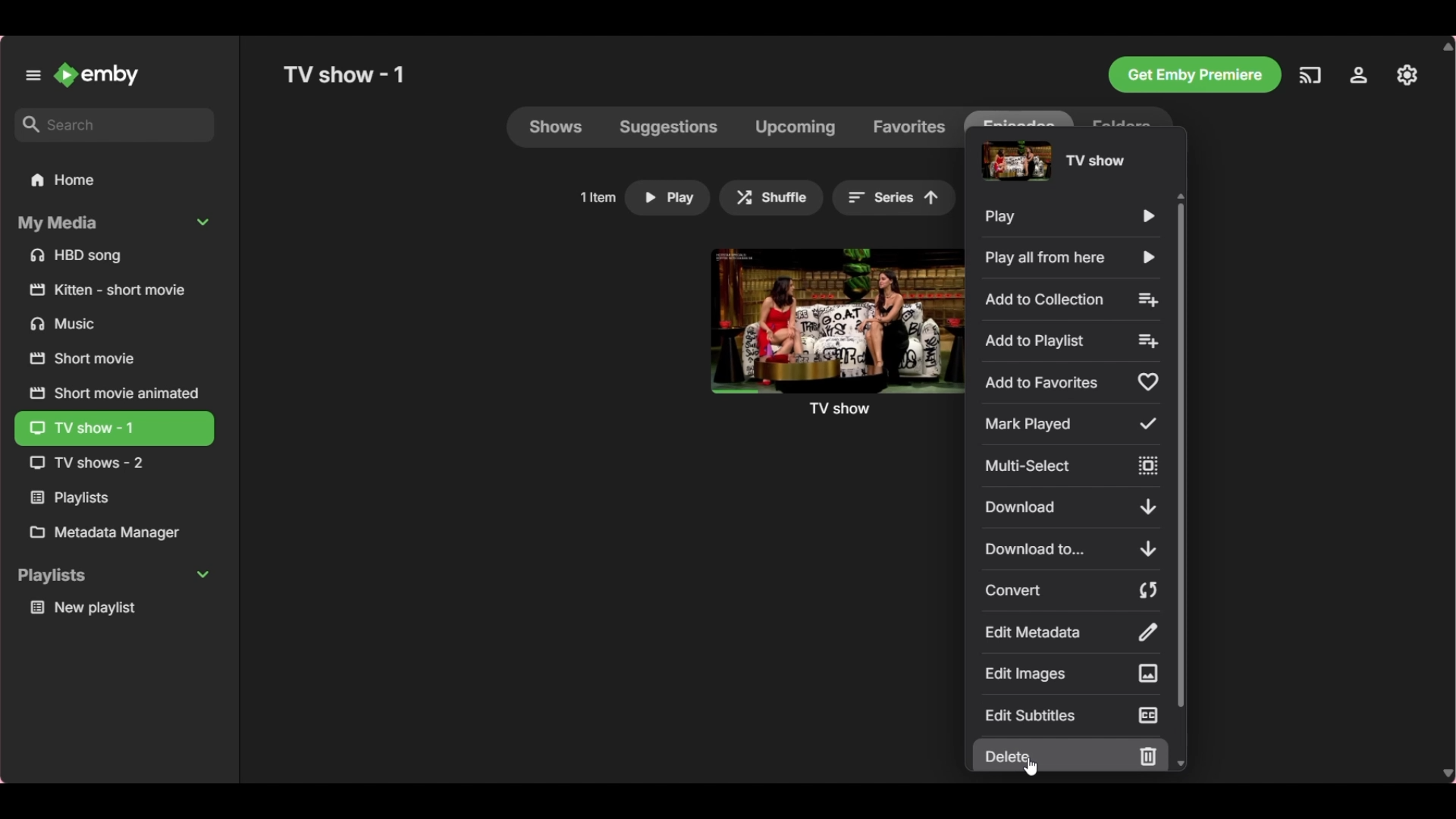 This screenshot has width=1456, height=819. Describe the element at coordinates (1072, 257) in the screenshot. I see `Play all from here` at that location.